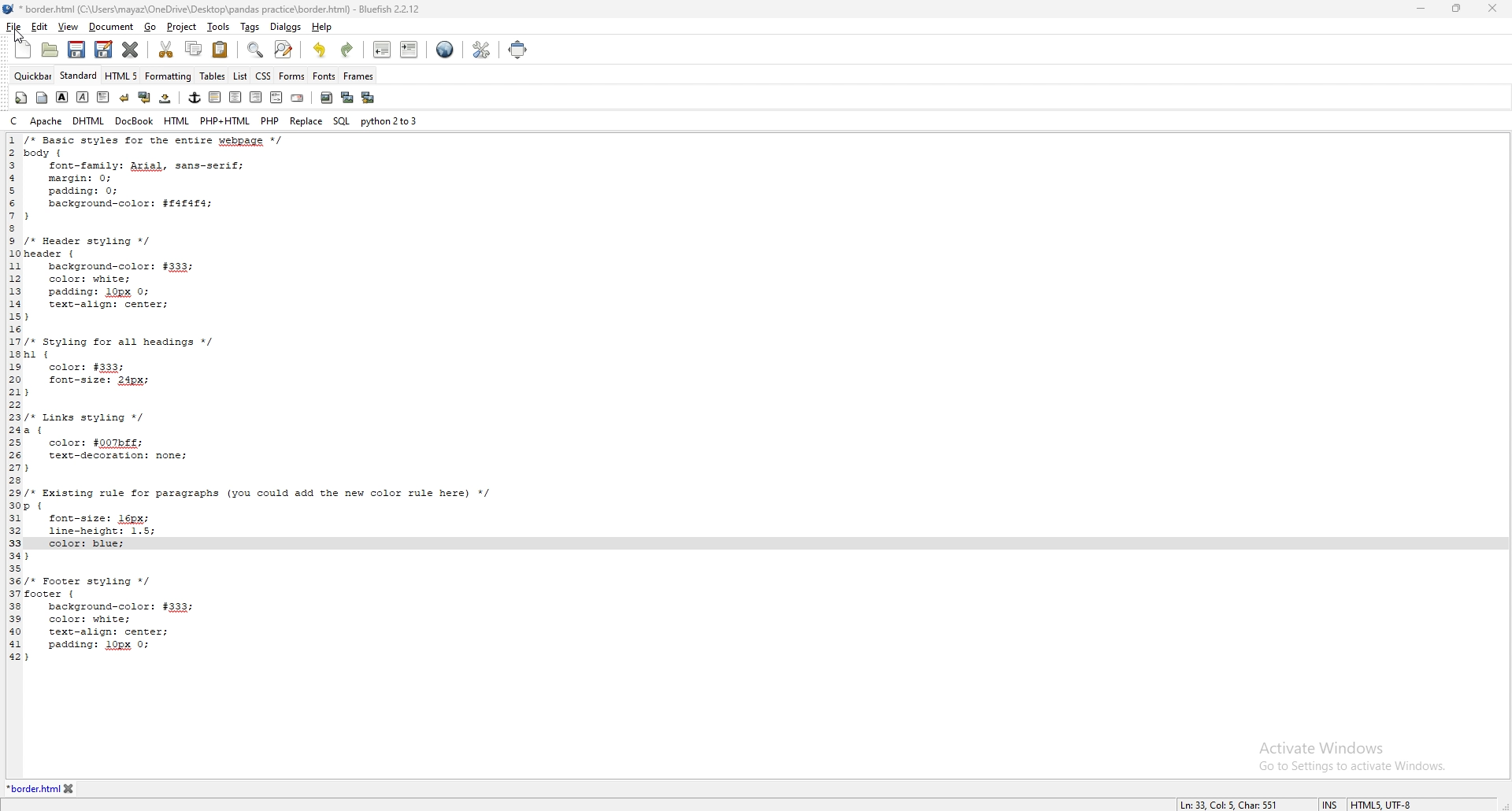 The height and width of the screenshot is (811, 1512). What do you see at coordinates (1421, 10) in the screenshot?
I see `minimize` at bounding box center [1421, 10].